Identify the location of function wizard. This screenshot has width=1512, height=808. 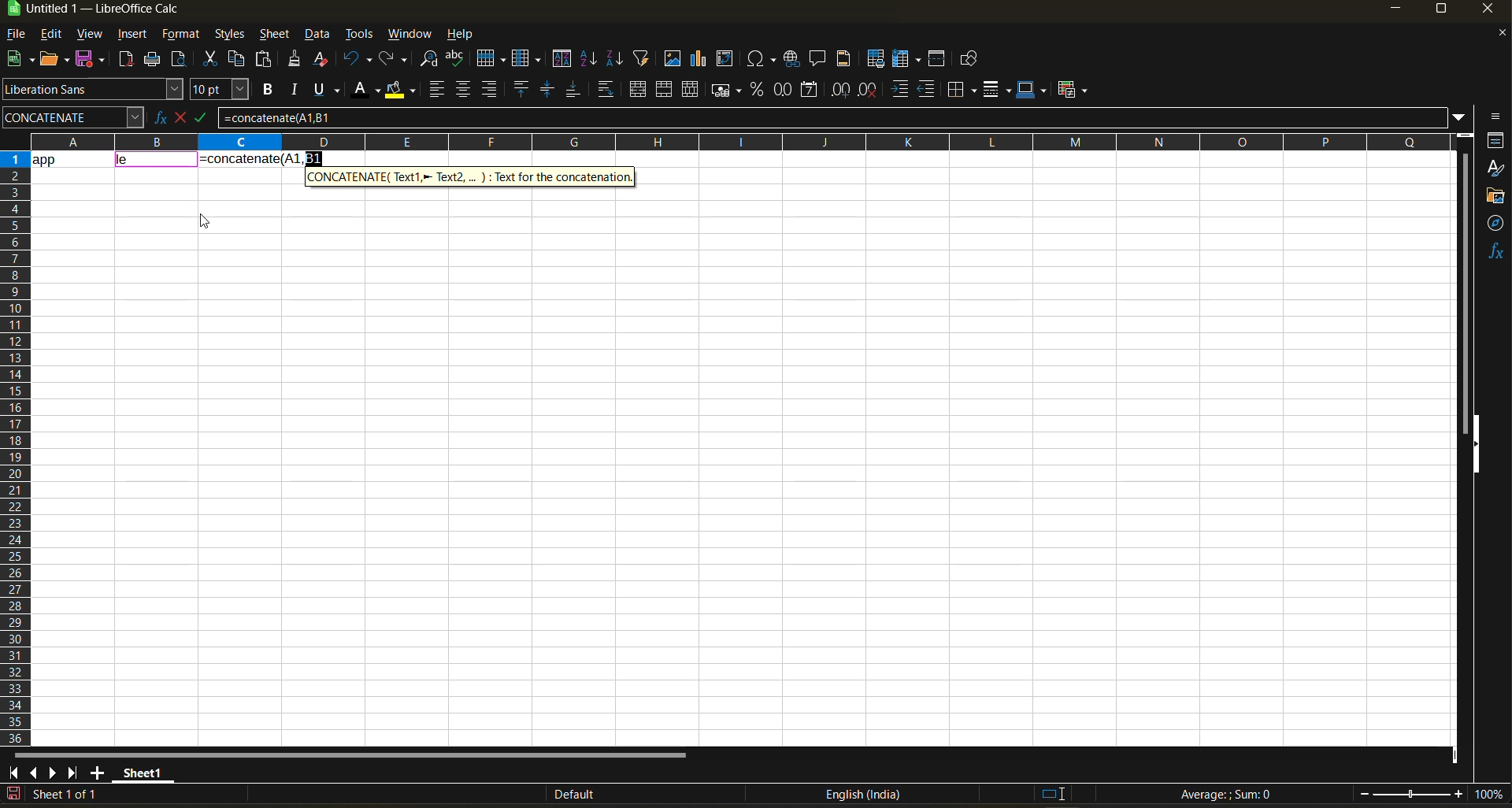
(155, 117).